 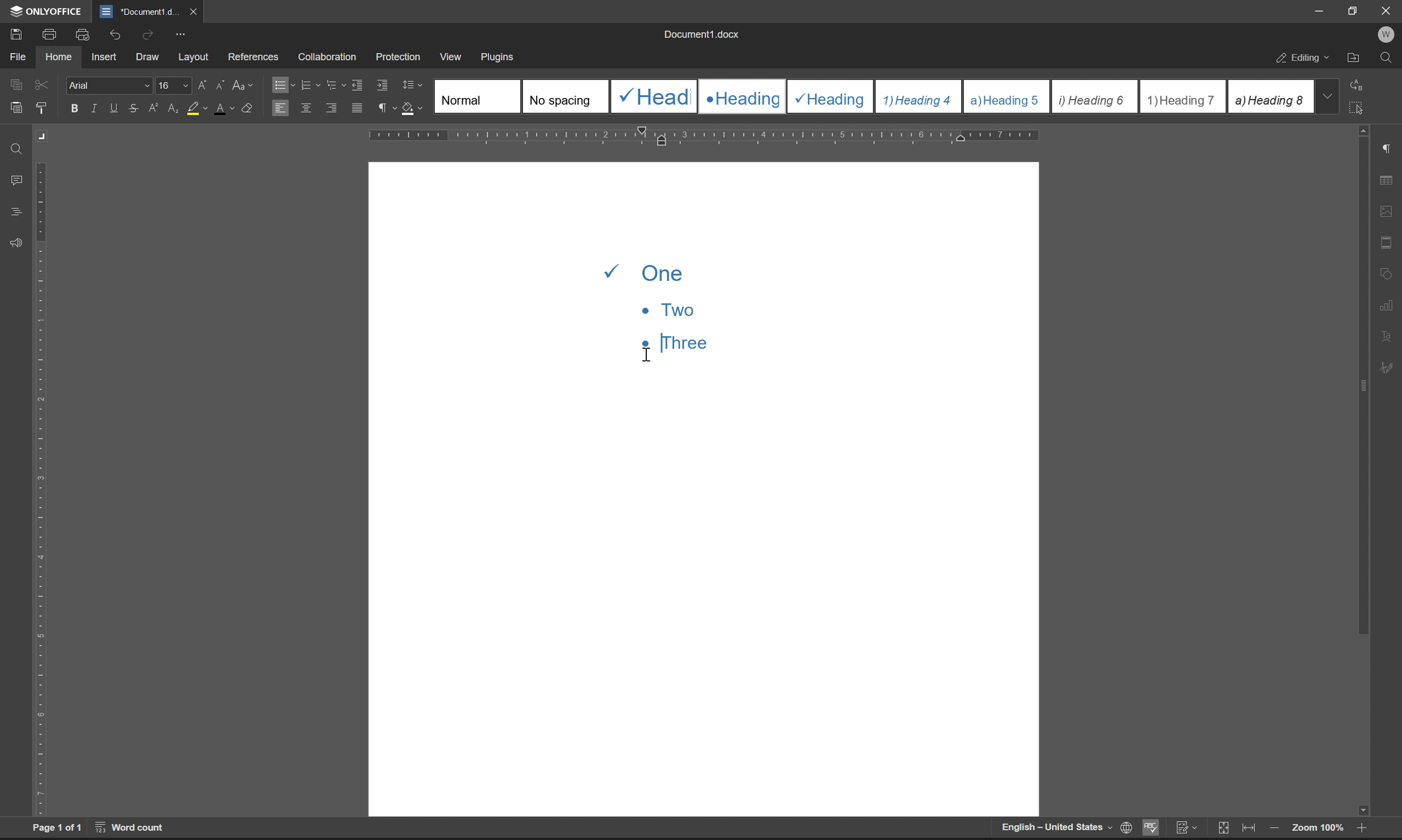 I want to click on comments, so click(x=19, y=181).